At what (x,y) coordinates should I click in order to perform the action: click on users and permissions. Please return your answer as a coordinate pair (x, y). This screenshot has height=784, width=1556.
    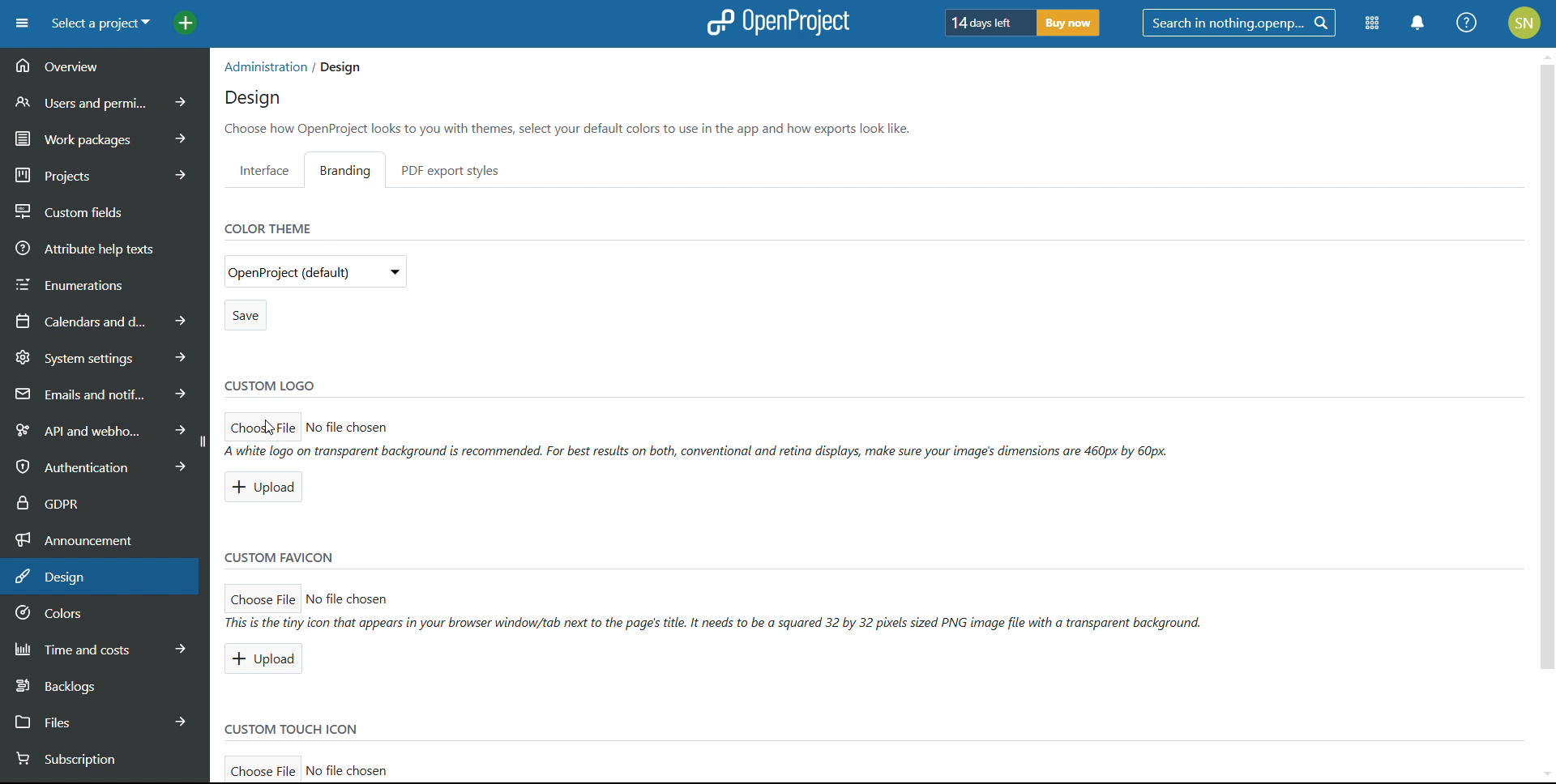
    Looking at the image, I should click on (106, 101).